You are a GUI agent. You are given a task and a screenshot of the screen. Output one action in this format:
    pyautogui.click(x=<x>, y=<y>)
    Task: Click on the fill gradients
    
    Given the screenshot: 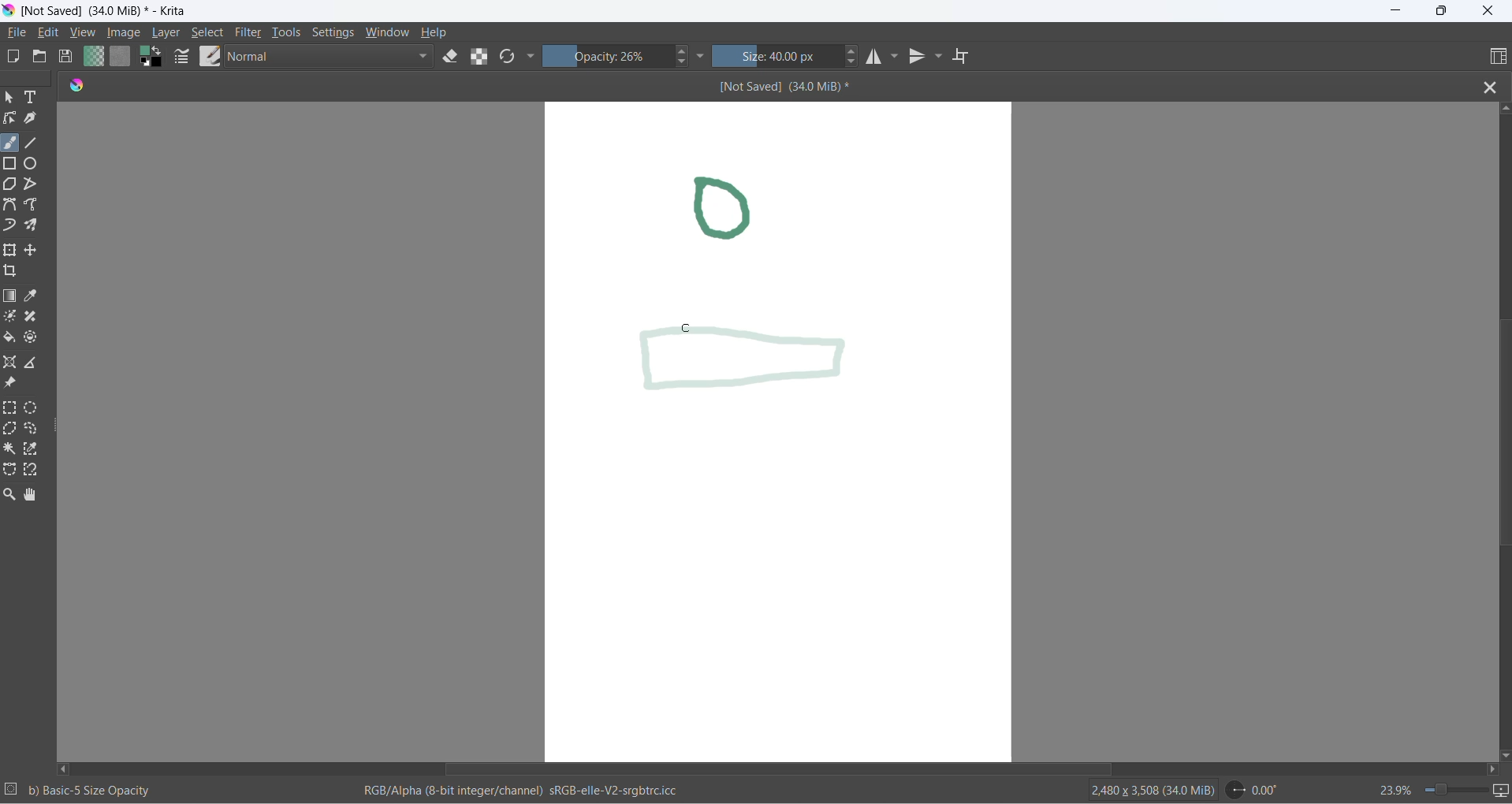 What is the action you would take?
    pyautogui.click(x=93, y=57)
    